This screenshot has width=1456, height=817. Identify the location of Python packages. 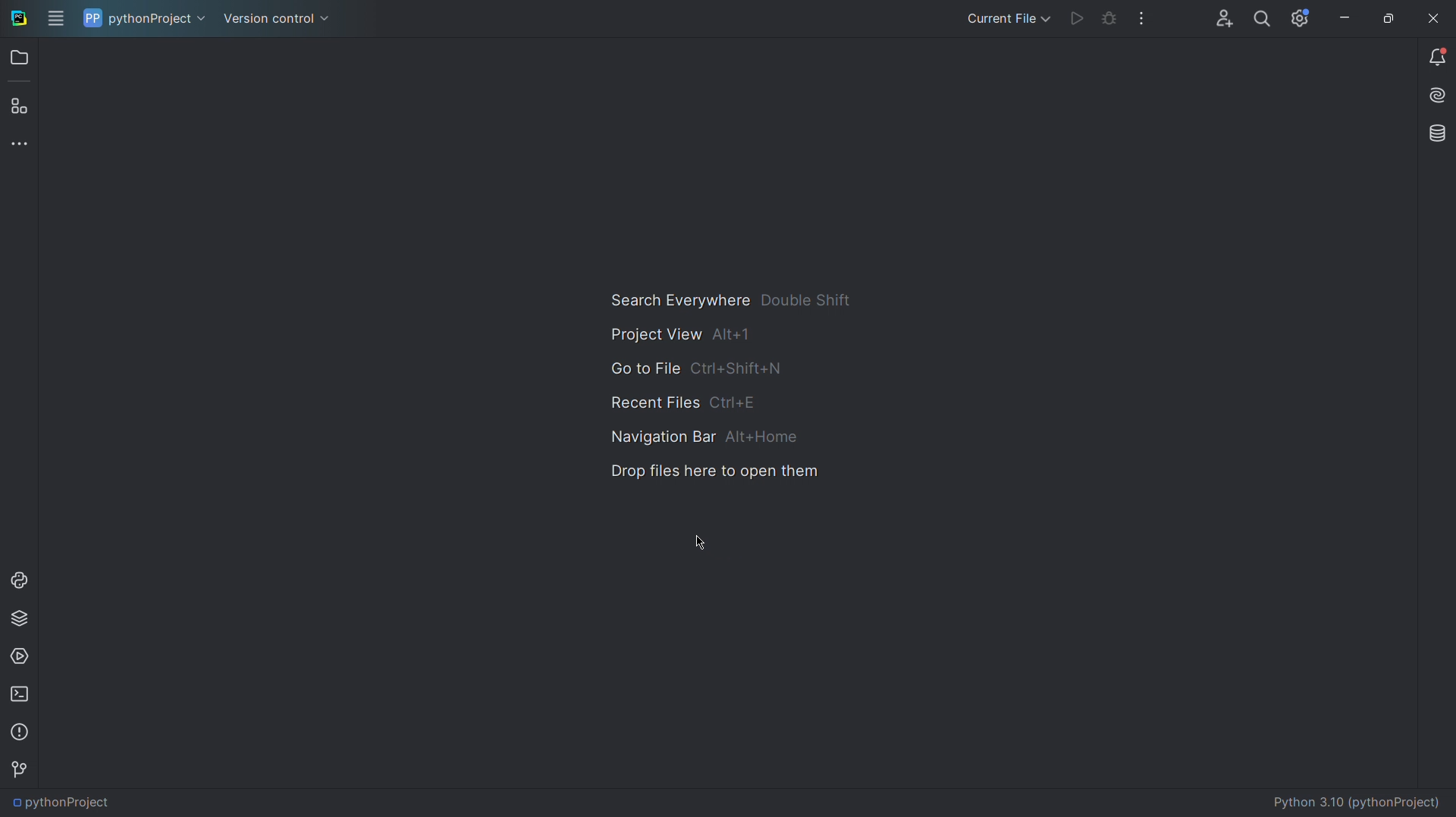
(23, 618).